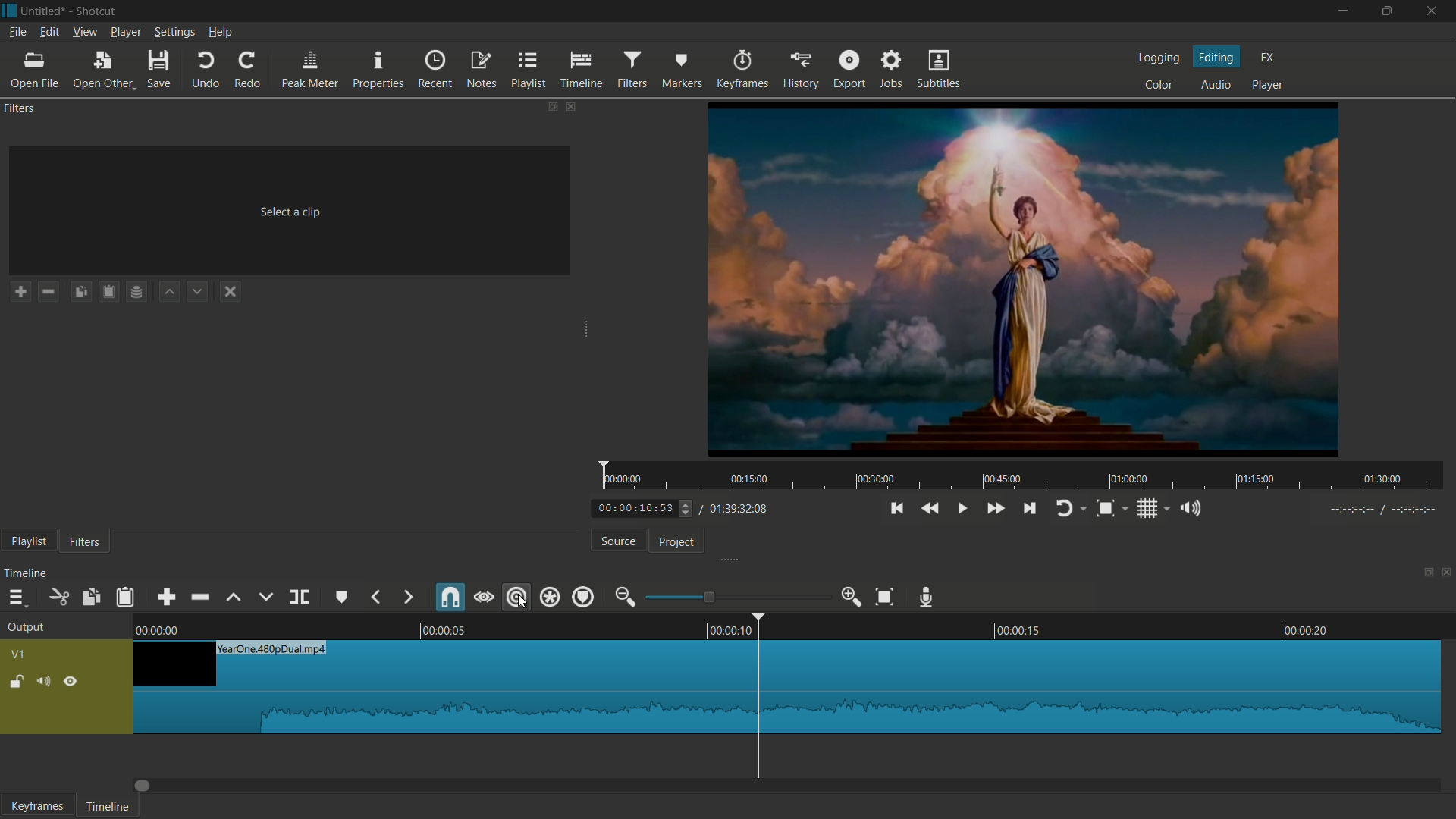 The height and width of the screenshot is (819, 1456). Describe the element at coordinates (529, 70) in the screenshot. I see `playlist` at that location.